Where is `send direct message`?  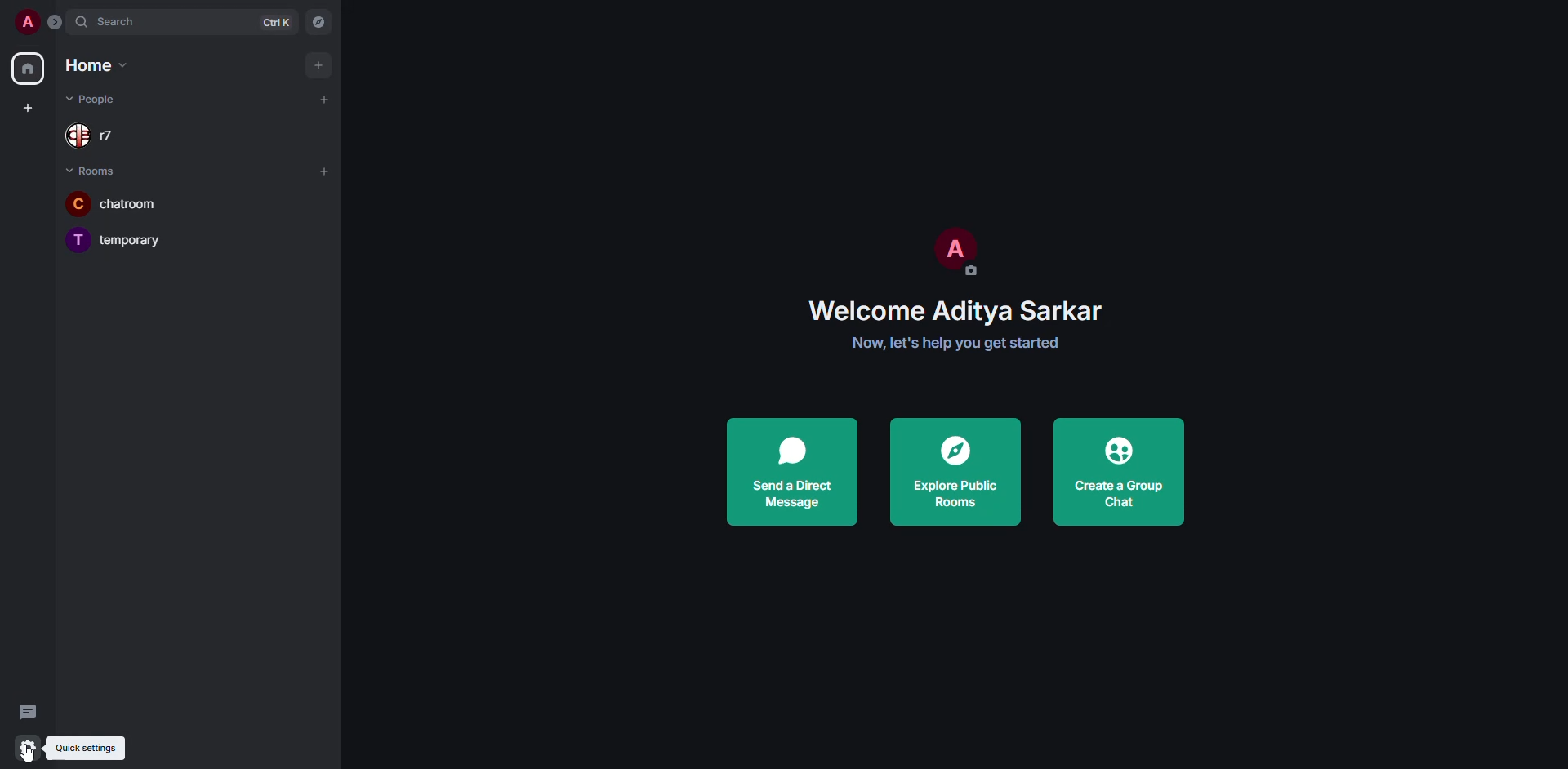
send direct message is located at coordinates (790, 472).